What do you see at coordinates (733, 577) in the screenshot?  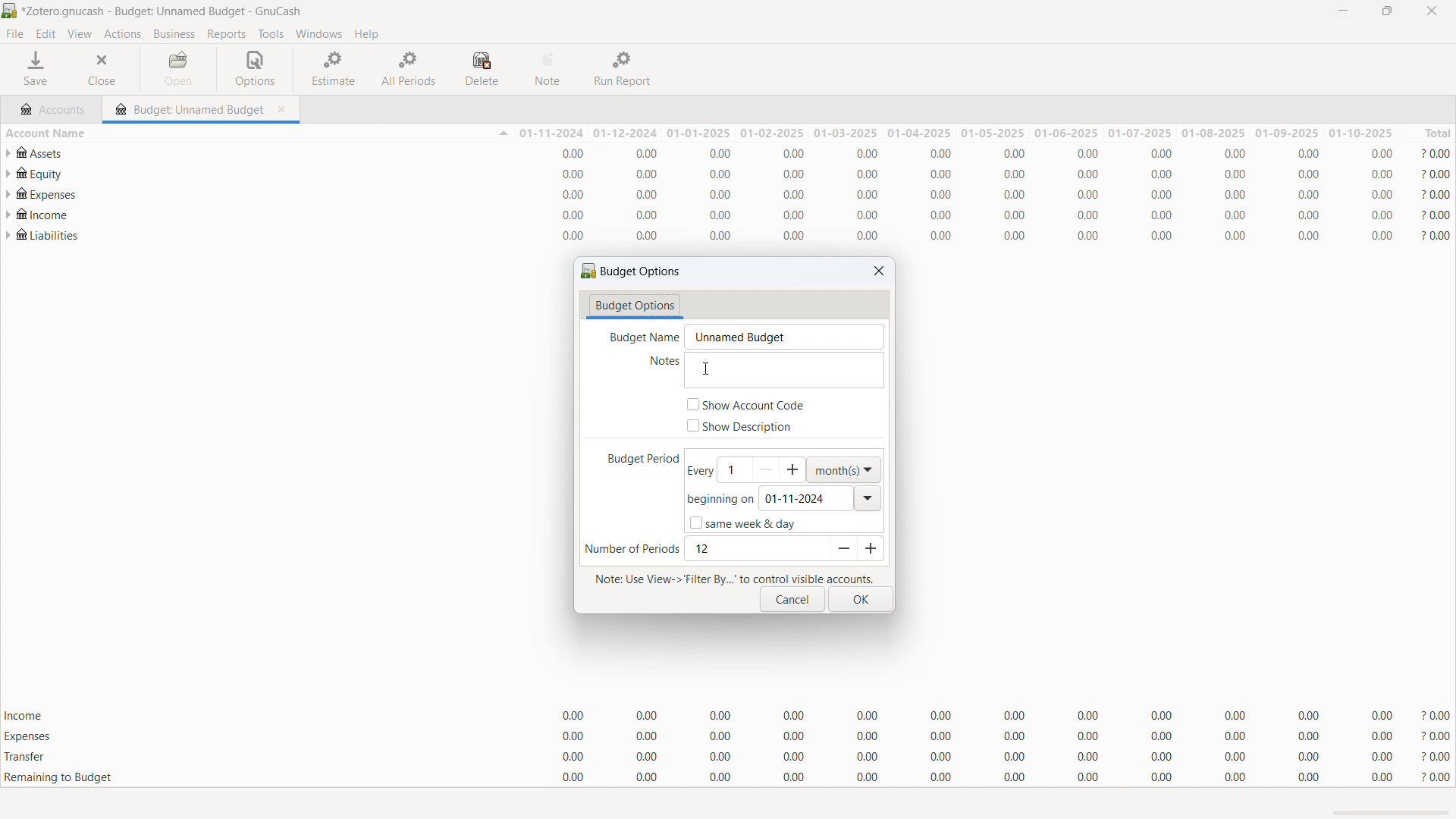 I see `Note: Use View-> Filter By..." to control visible accounts.` at bounding box center [733, 577].